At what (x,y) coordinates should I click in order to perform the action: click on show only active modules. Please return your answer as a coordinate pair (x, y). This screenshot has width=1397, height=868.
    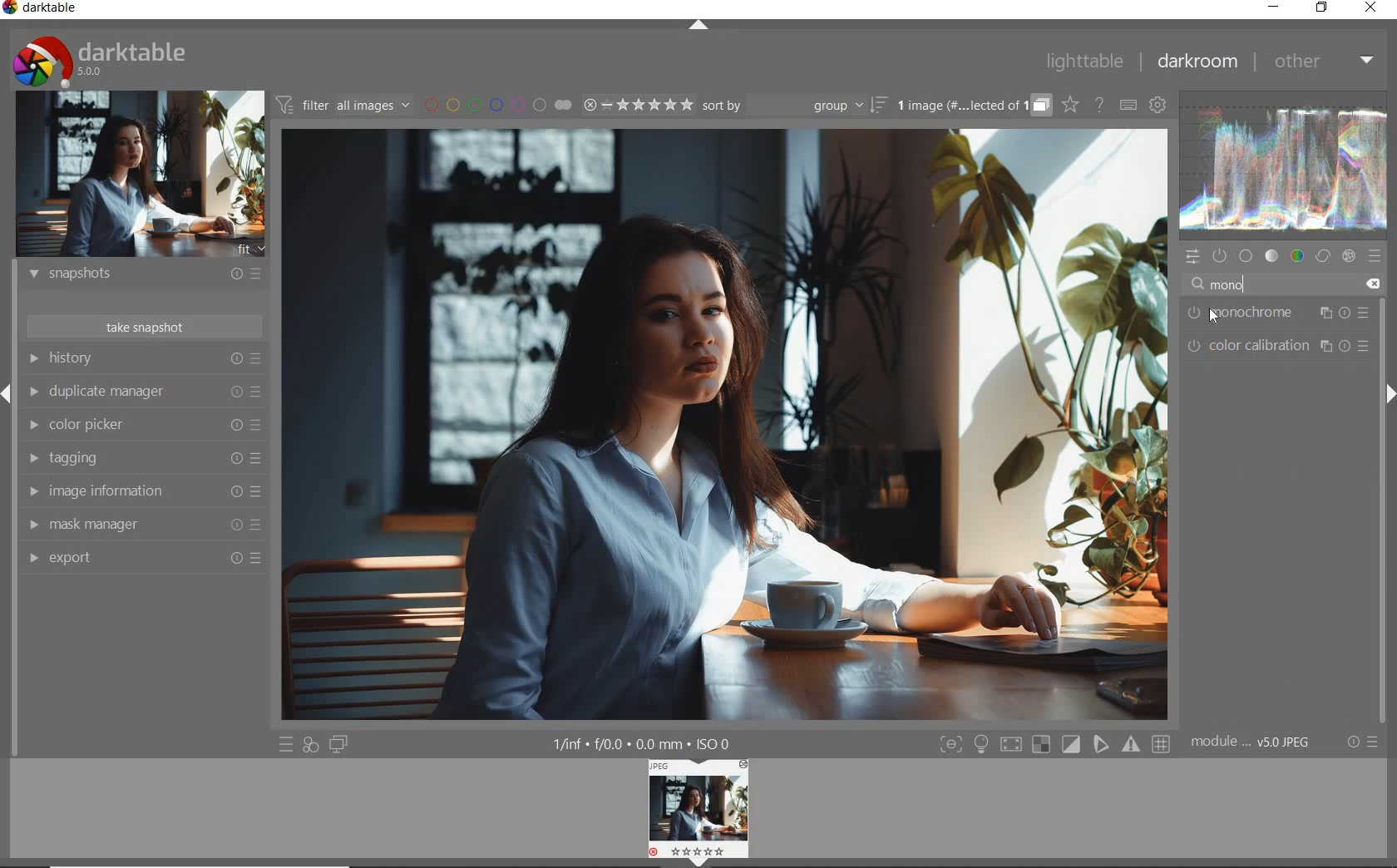
    Looking at the image, I should click on (1221, 254).